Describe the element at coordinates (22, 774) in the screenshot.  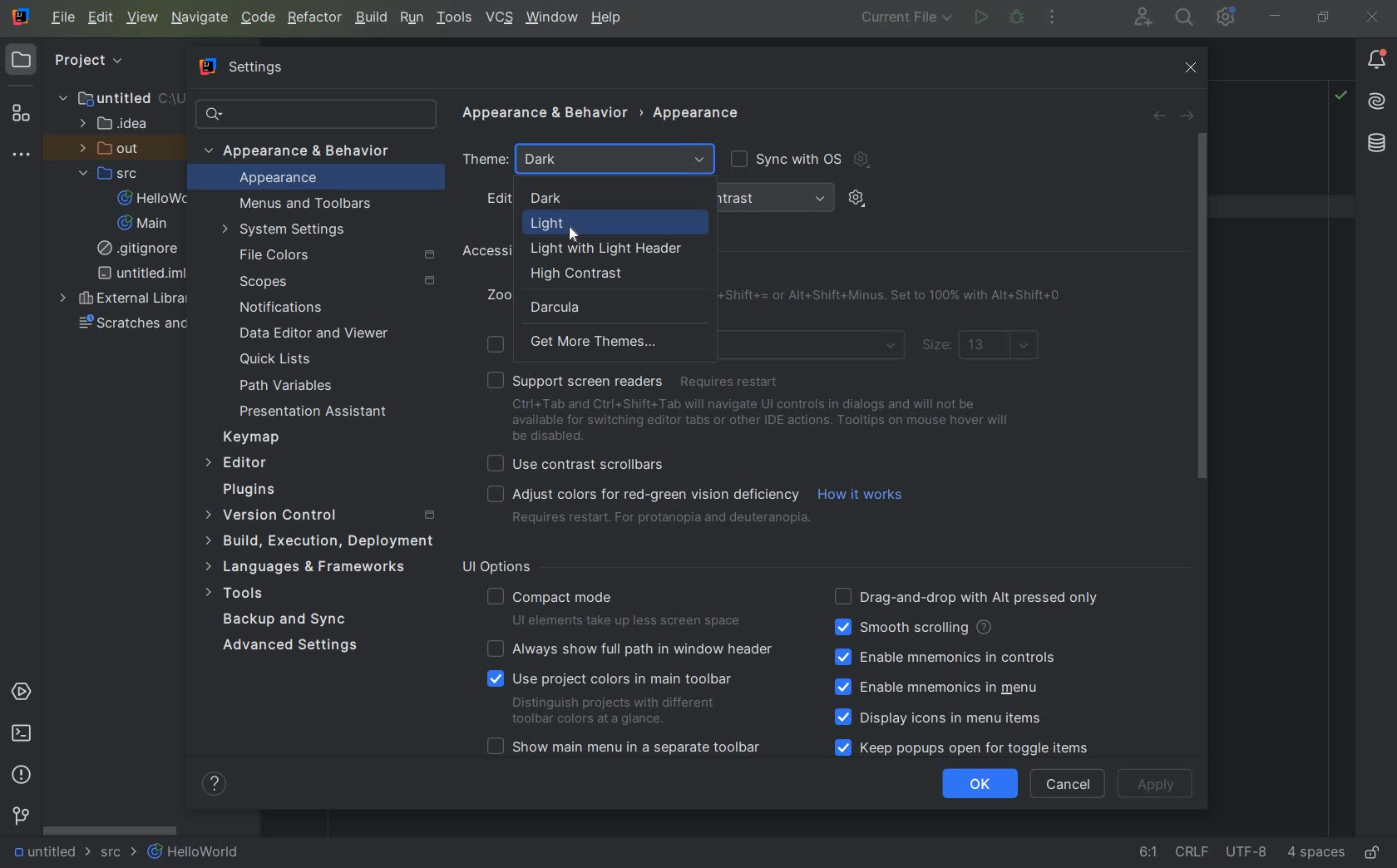
I see `PROBLEMS` at that location.